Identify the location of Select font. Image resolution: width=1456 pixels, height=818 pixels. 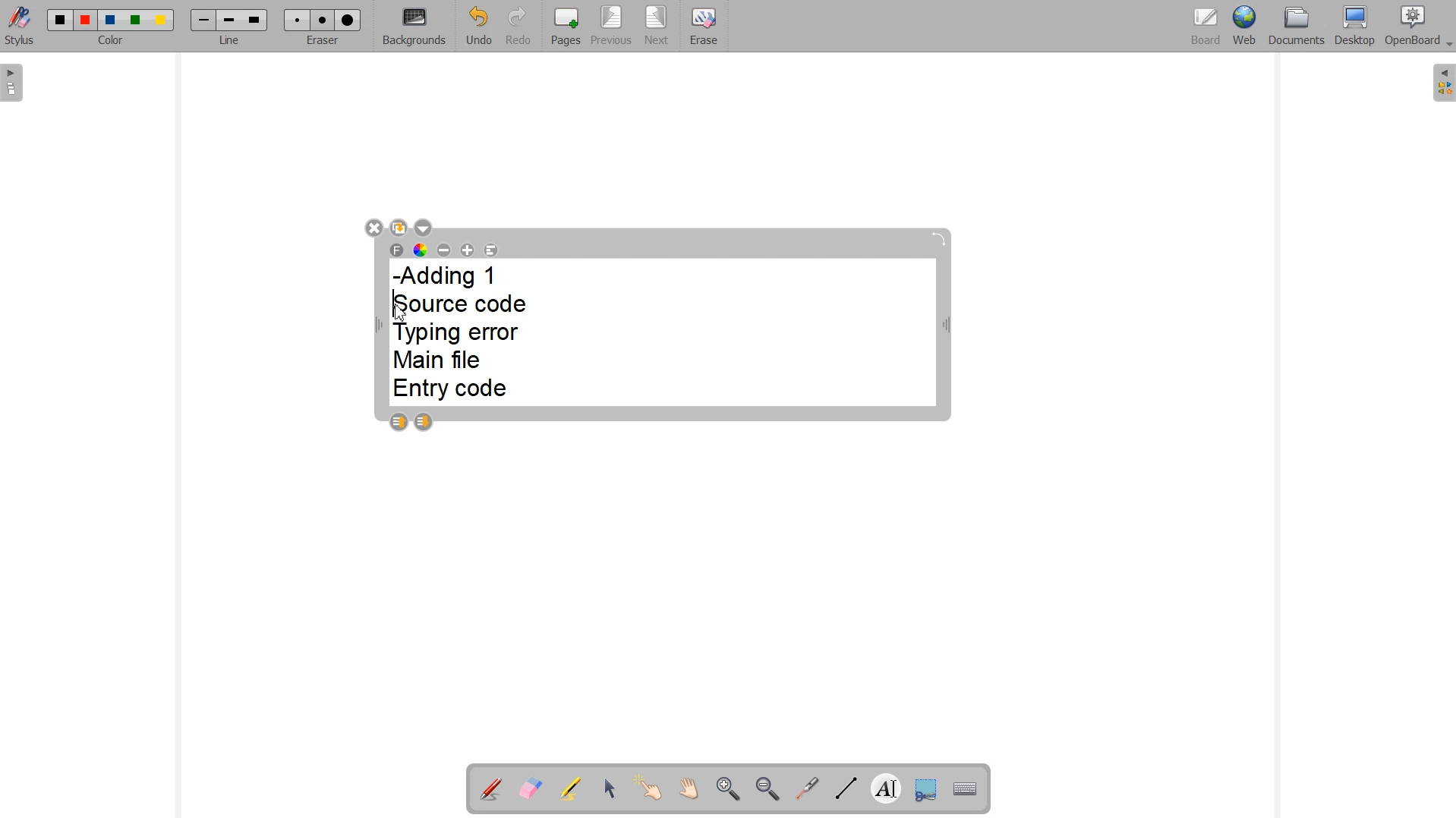
(397, 250).